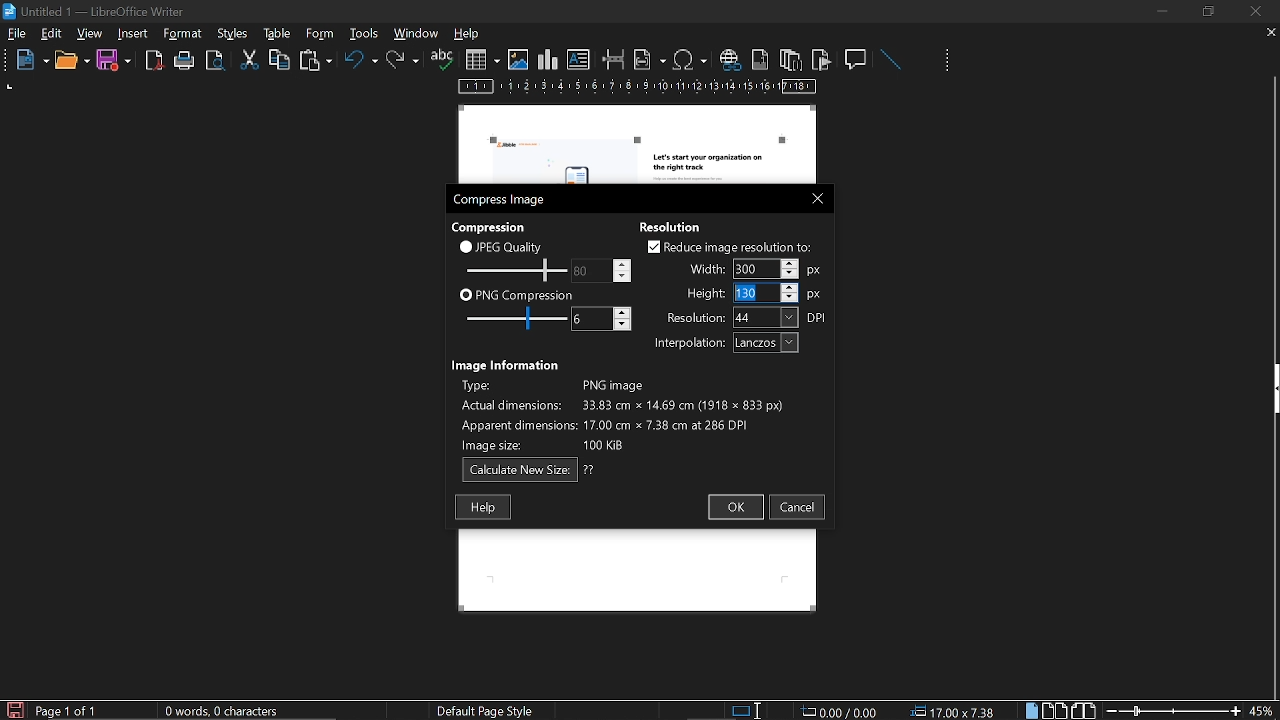 The height and width of the screenshot is (720, 1280). I want to click on insert hyperlink, so click(729, 61).